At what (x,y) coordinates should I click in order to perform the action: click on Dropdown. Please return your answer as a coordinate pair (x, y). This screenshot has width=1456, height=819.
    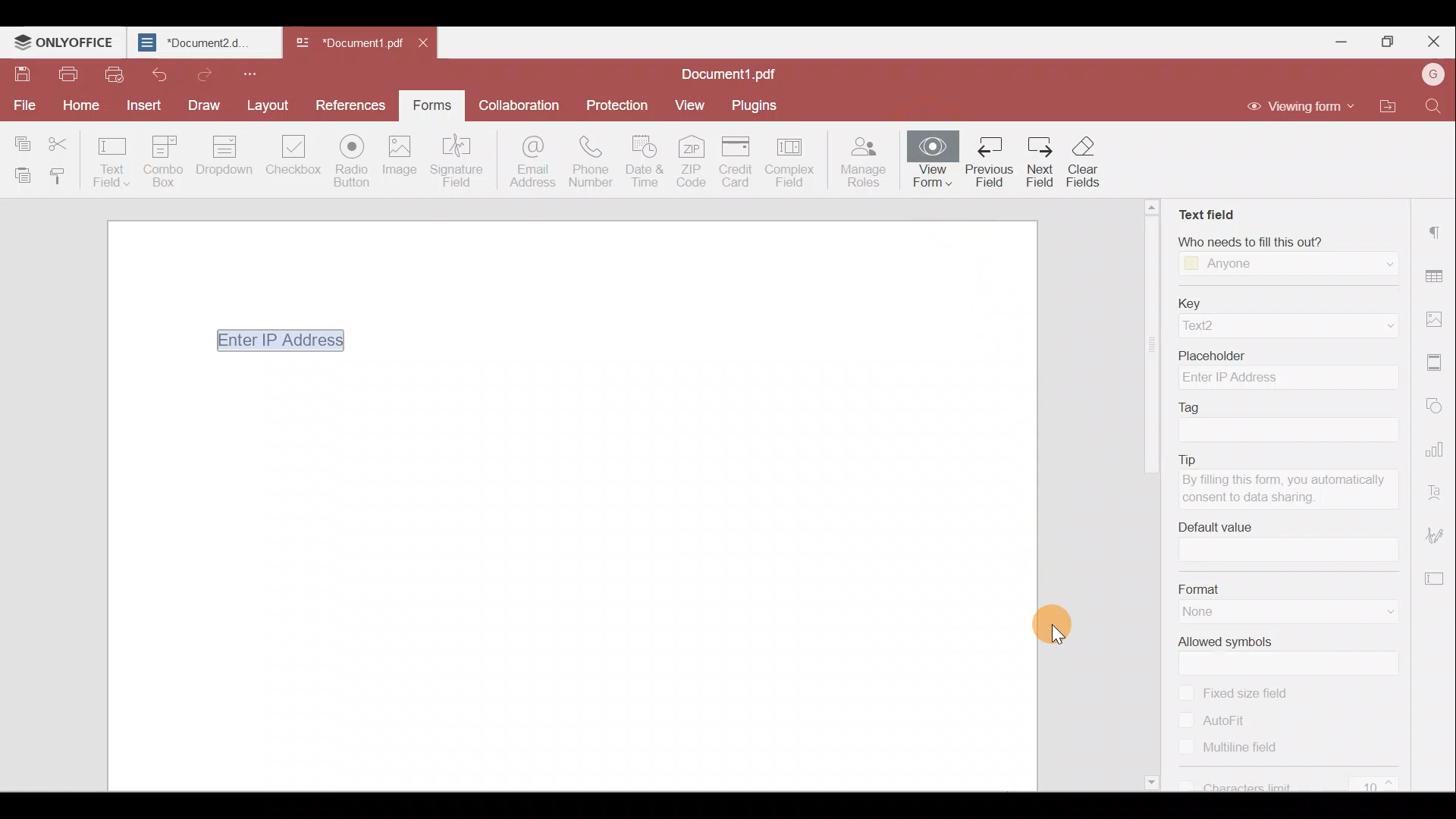
    Looking at the image, I should click on (1373, 262).